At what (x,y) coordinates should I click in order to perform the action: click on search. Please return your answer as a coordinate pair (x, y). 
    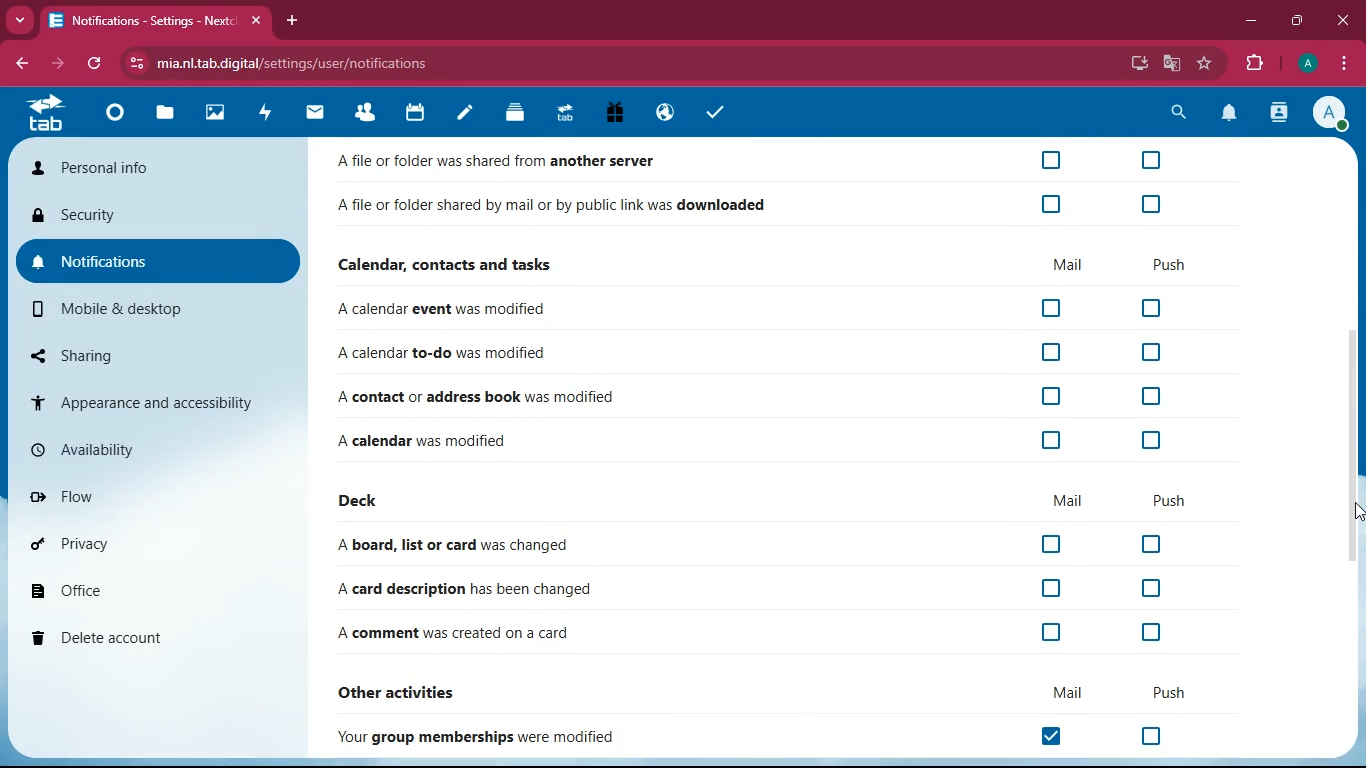
    Looking at the image, I should click on (1174, 113).